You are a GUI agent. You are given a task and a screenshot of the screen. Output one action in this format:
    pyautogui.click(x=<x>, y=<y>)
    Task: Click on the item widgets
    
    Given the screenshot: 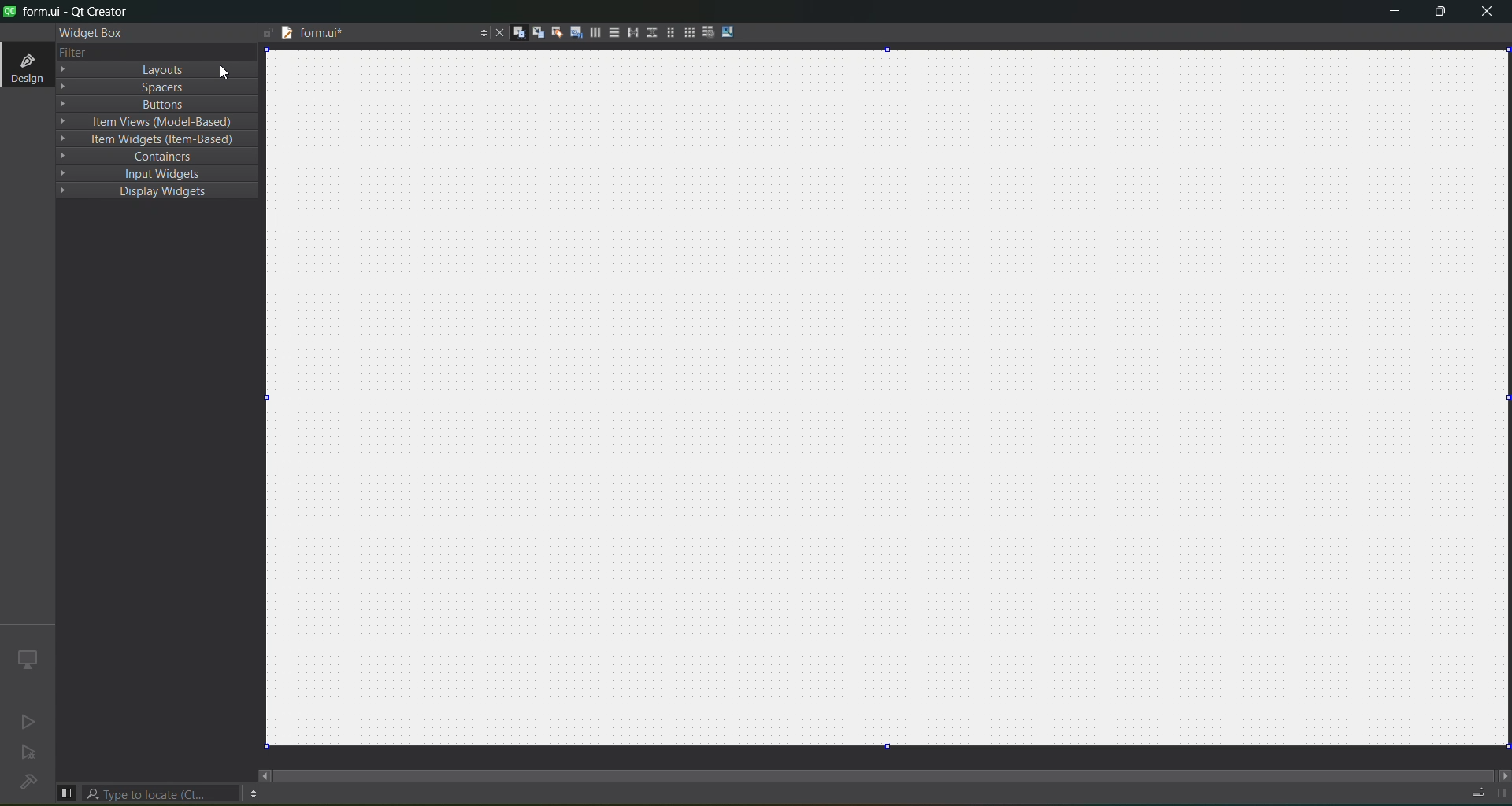 What is the action you would take?
    pyautogui.click(x=157, y=139)
    